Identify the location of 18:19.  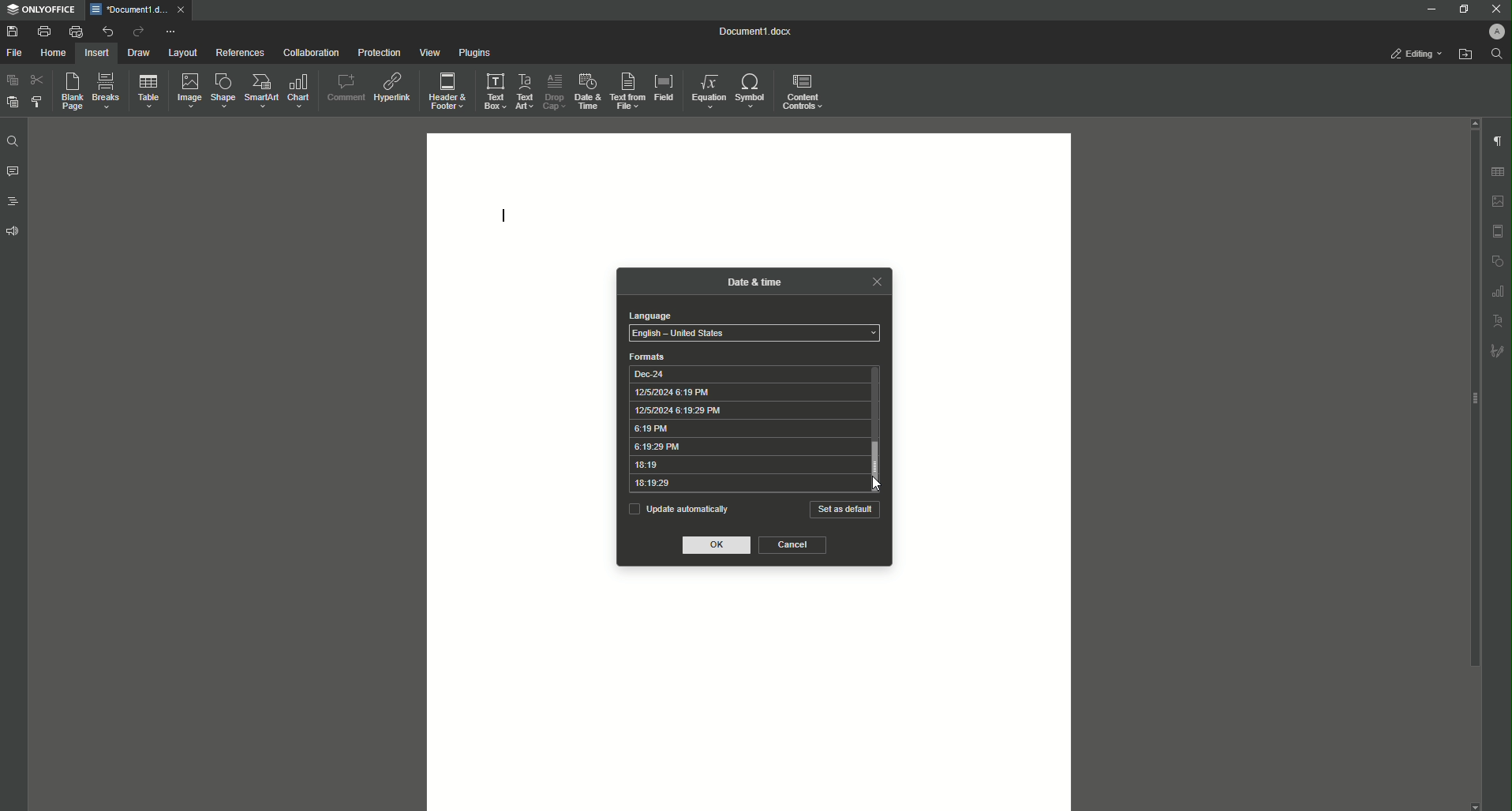
(745, 465).